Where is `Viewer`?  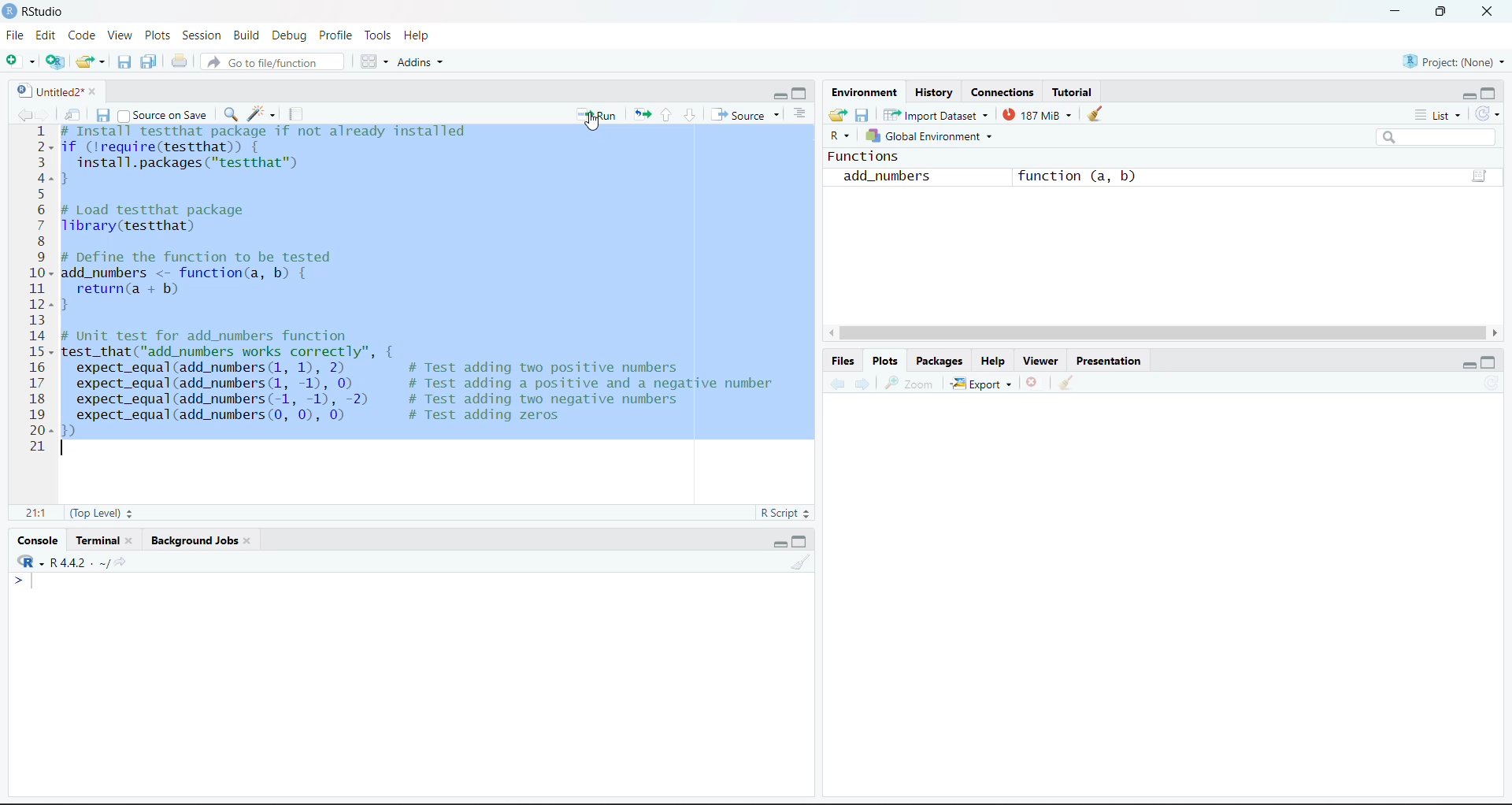
Viewer is located at coordinates (1044, 361).